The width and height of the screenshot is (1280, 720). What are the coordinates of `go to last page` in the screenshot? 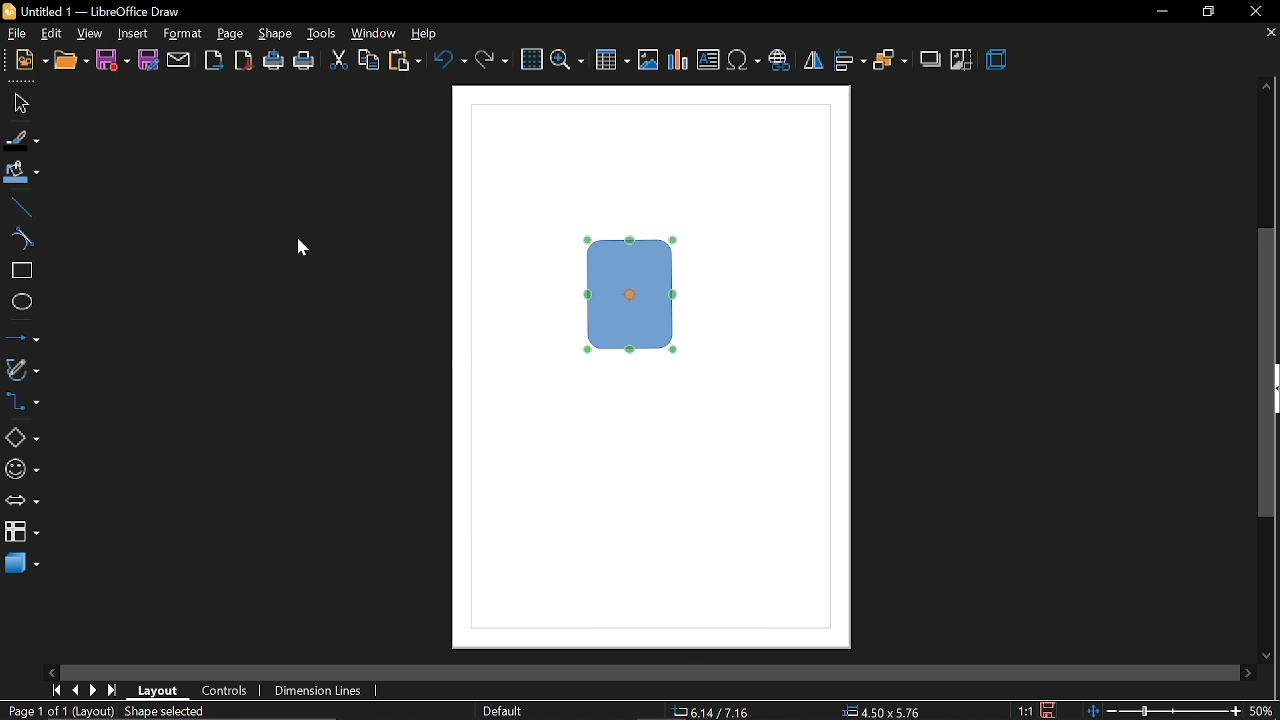 It's located at (114, 691).